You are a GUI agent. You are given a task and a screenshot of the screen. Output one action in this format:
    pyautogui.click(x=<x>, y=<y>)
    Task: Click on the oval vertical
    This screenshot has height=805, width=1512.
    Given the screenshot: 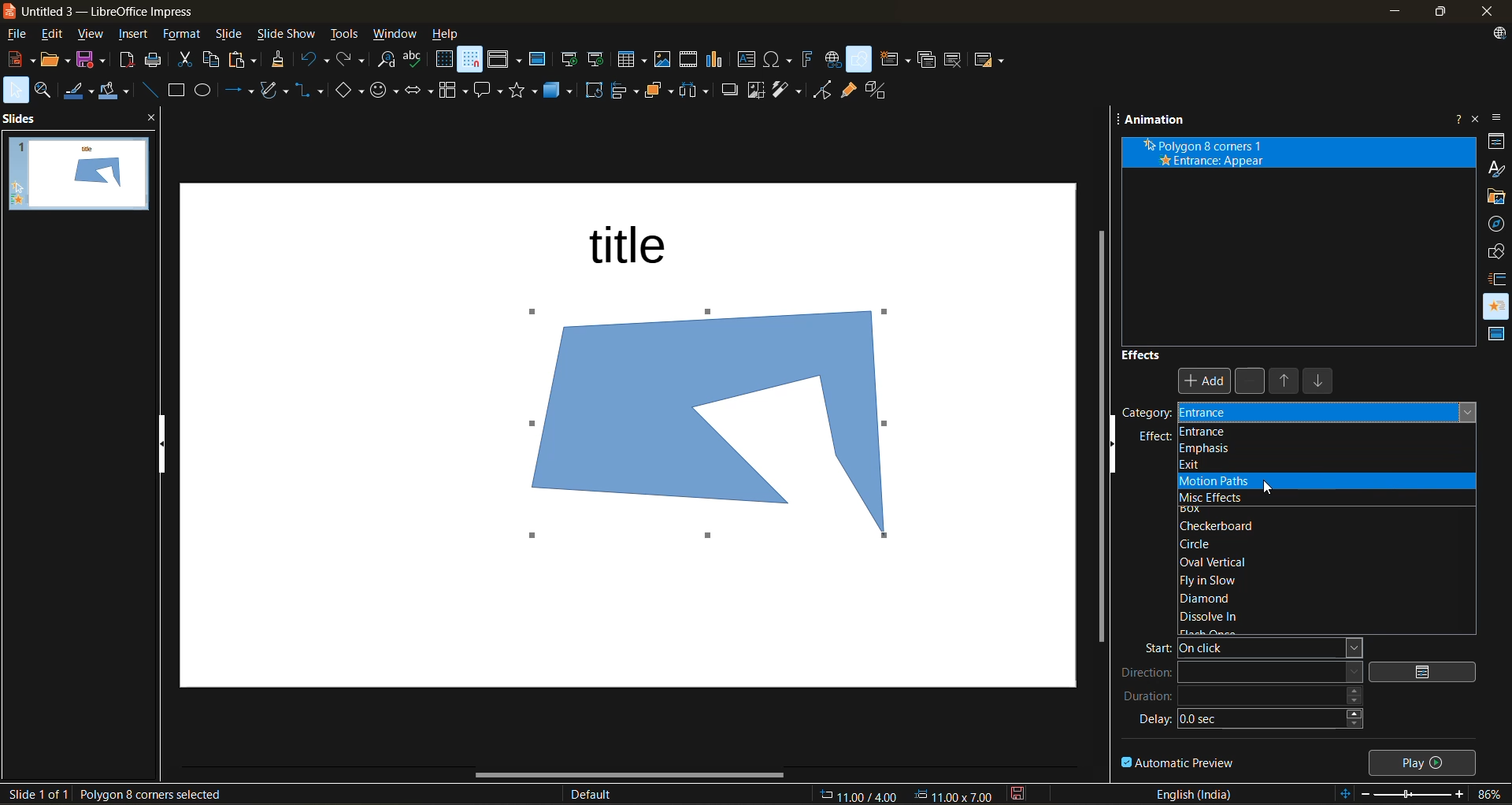 What is the action you would take?
    pyautogui.click(x=1225, y=562)
    